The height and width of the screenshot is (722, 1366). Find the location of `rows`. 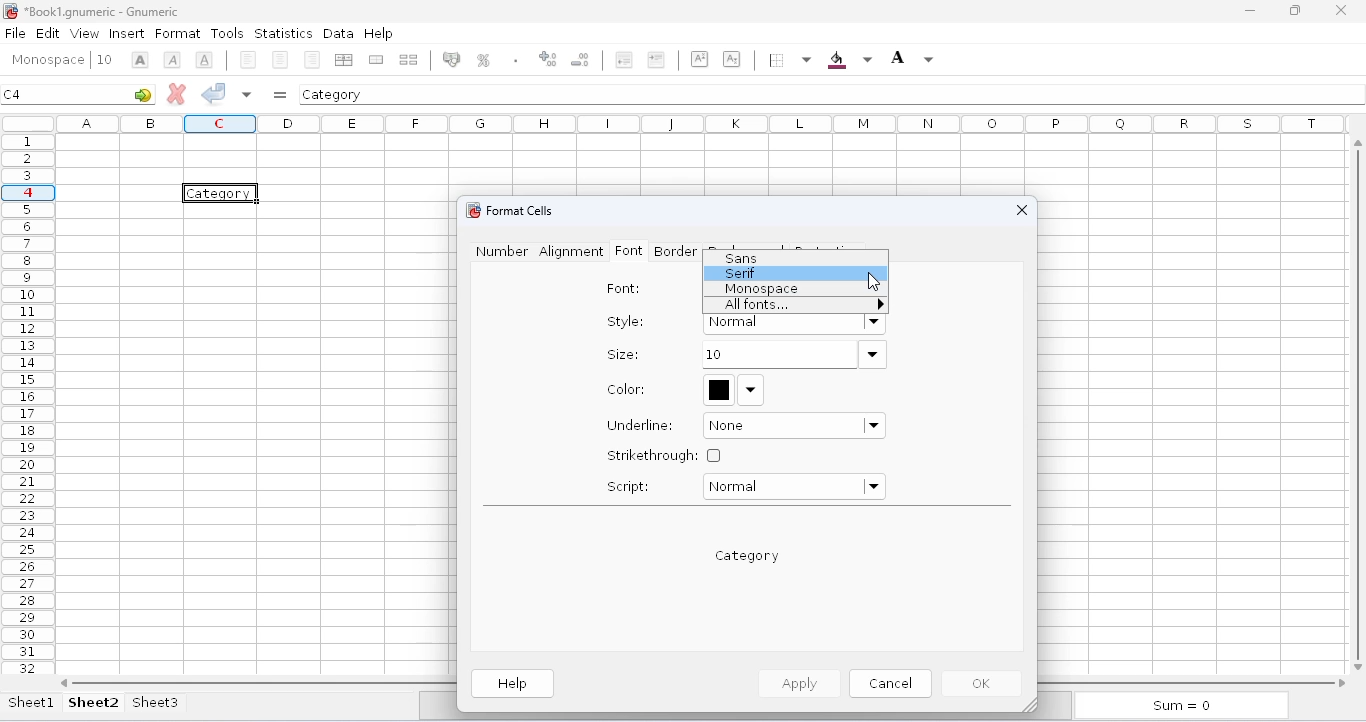

rows is located at coordinates (28, 404).